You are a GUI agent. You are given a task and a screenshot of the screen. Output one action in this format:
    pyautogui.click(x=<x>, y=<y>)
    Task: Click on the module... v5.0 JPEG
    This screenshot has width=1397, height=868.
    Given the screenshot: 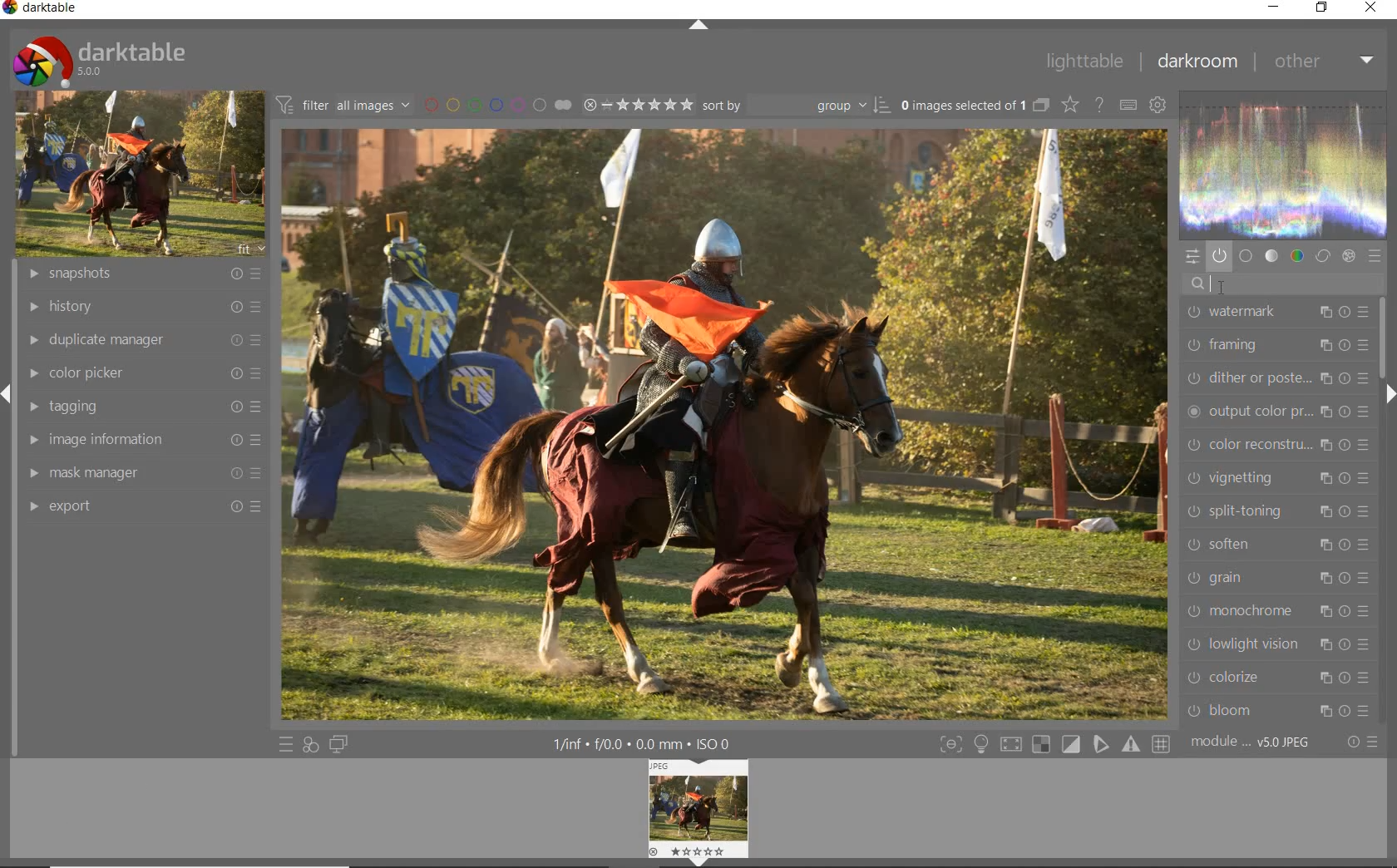 What is the action you would take?
    pyautogui.click(x=1255, y=742)
    